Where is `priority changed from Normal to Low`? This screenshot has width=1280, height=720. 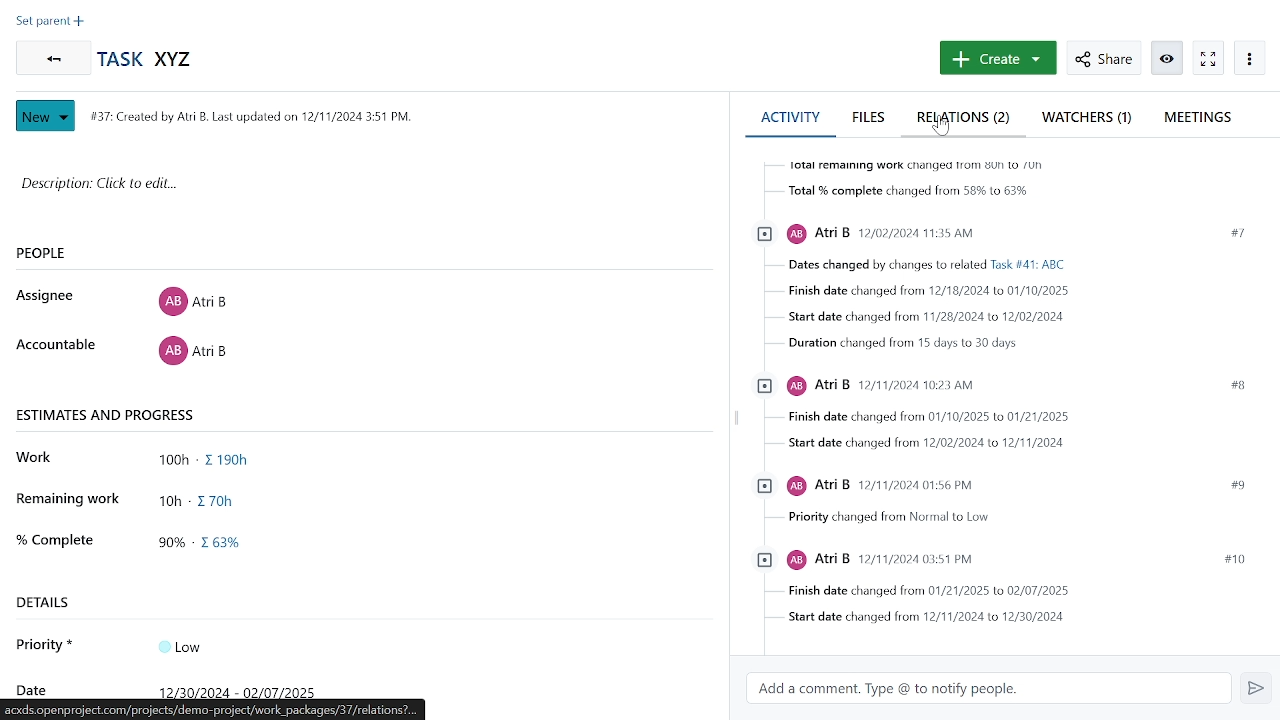
priority changed from Normal to Low is located at coordinates (881, 518).